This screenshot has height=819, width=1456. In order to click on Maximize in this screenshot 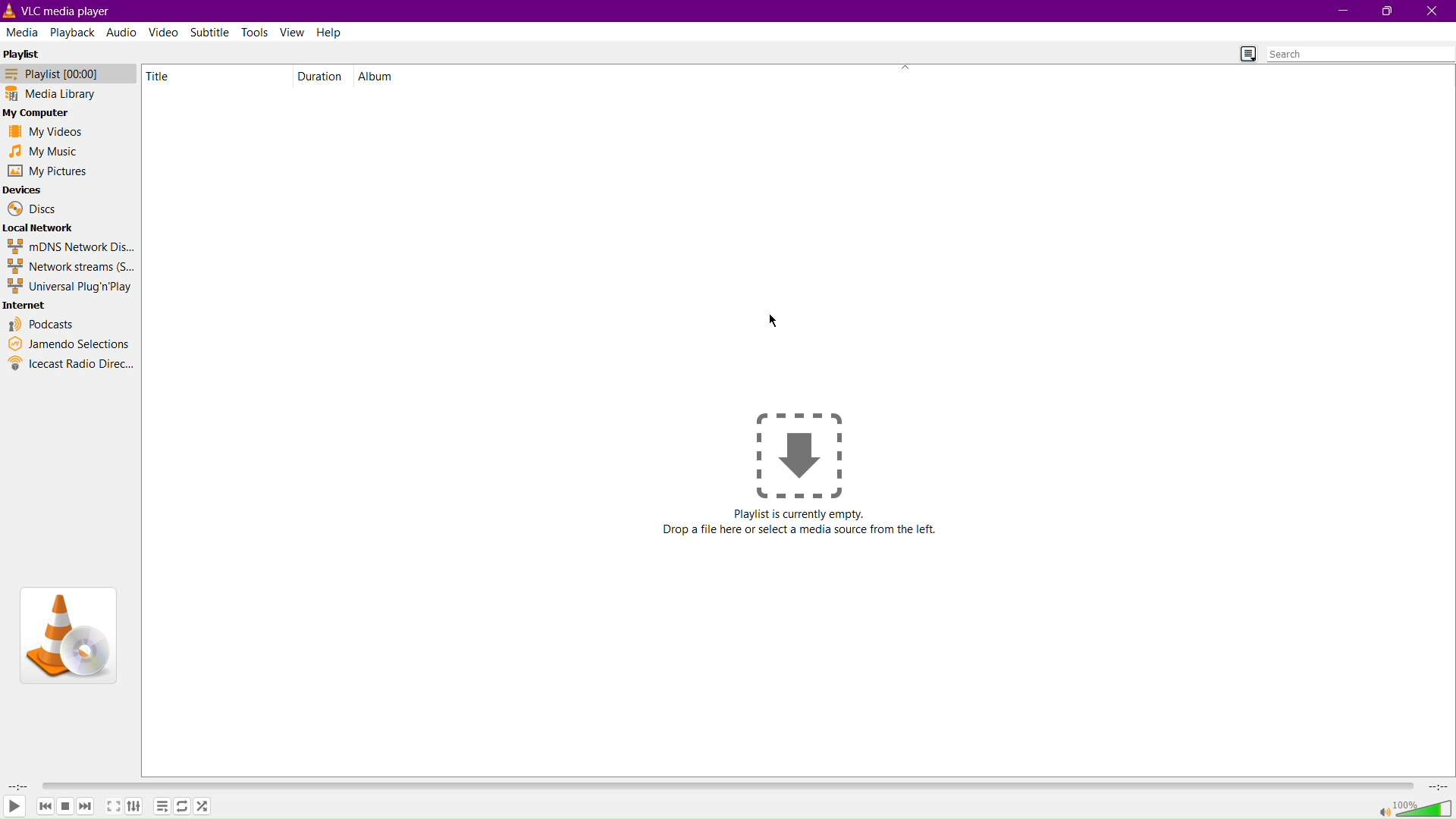, I will do `click(1386, 11)`.